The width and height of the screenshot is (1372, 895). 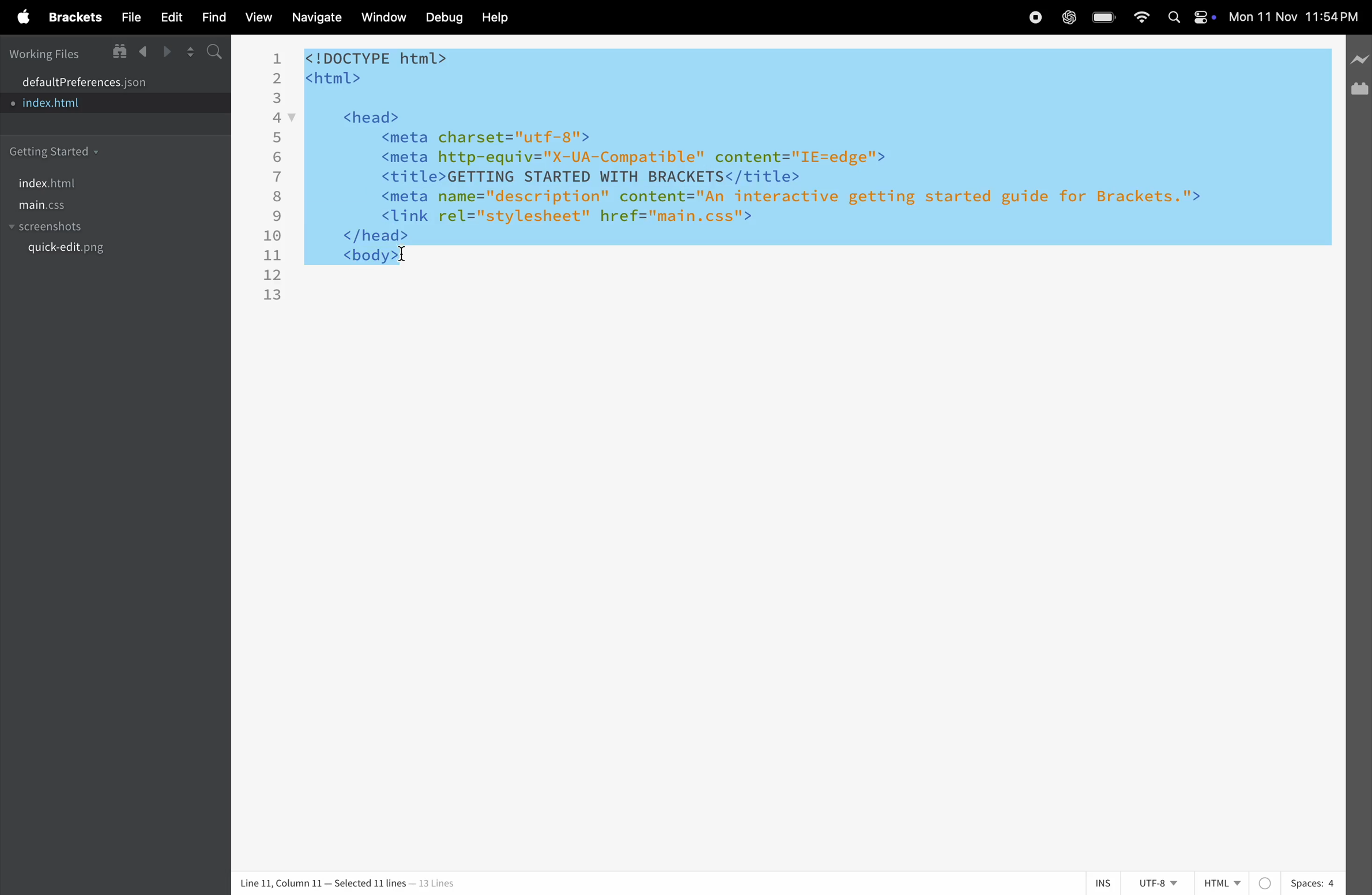 I want to click on working files, so click(x=45, y=53).